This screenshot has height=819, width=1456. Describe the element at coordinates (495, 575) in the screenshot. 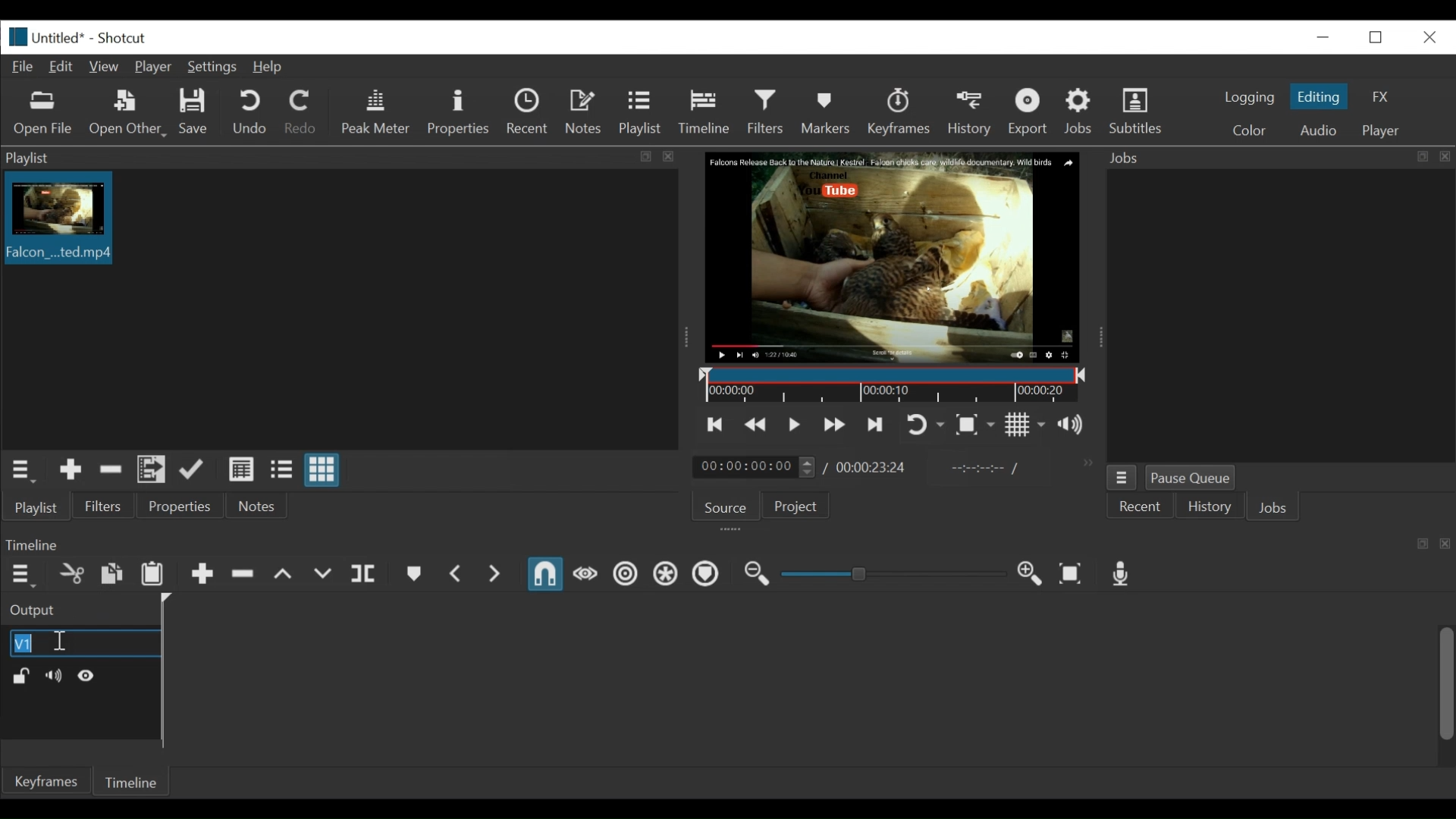

I see `Next Marker` at that location.